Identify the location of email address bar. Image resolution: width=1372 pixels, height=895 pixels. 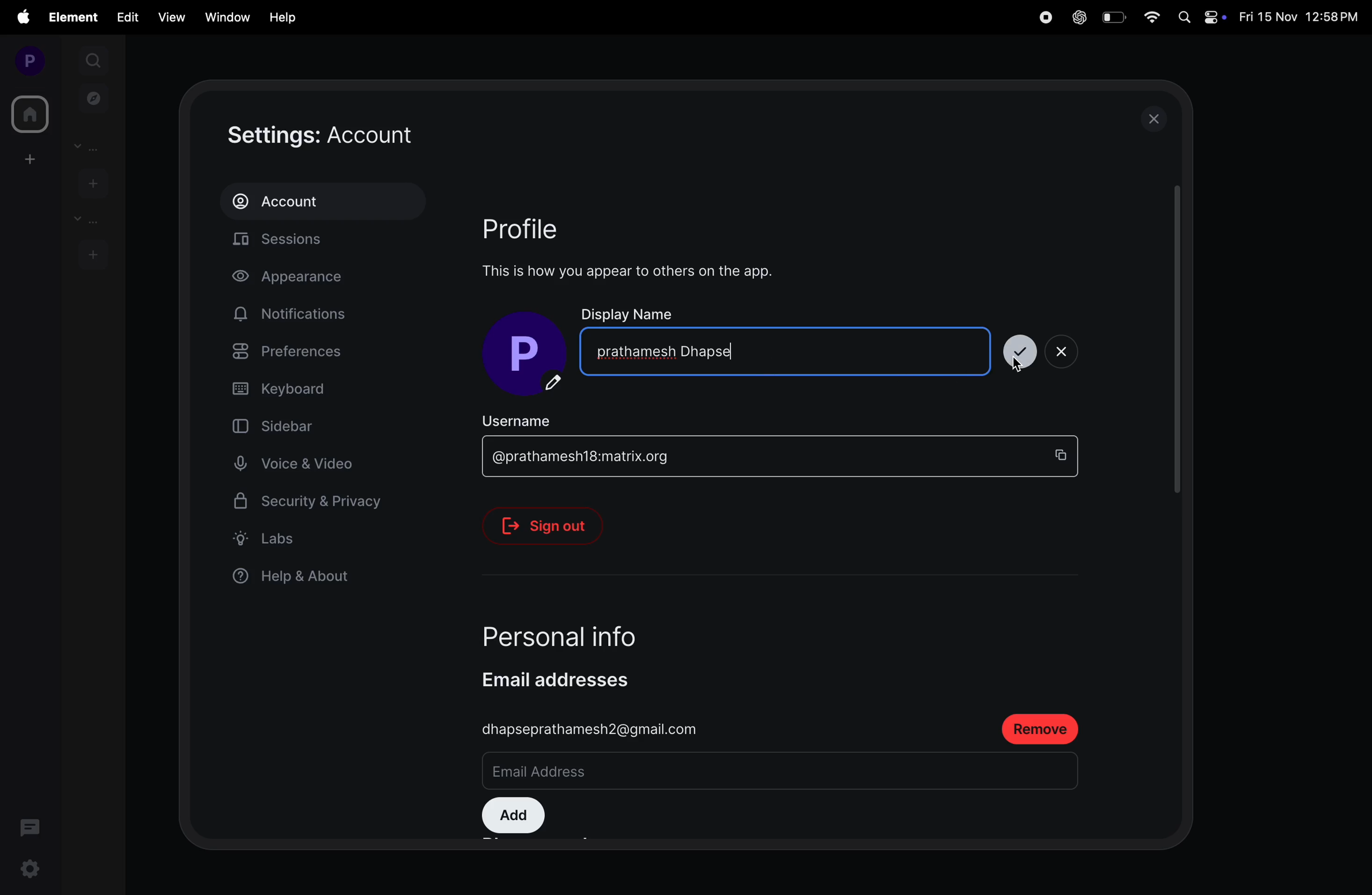
(642, 773).